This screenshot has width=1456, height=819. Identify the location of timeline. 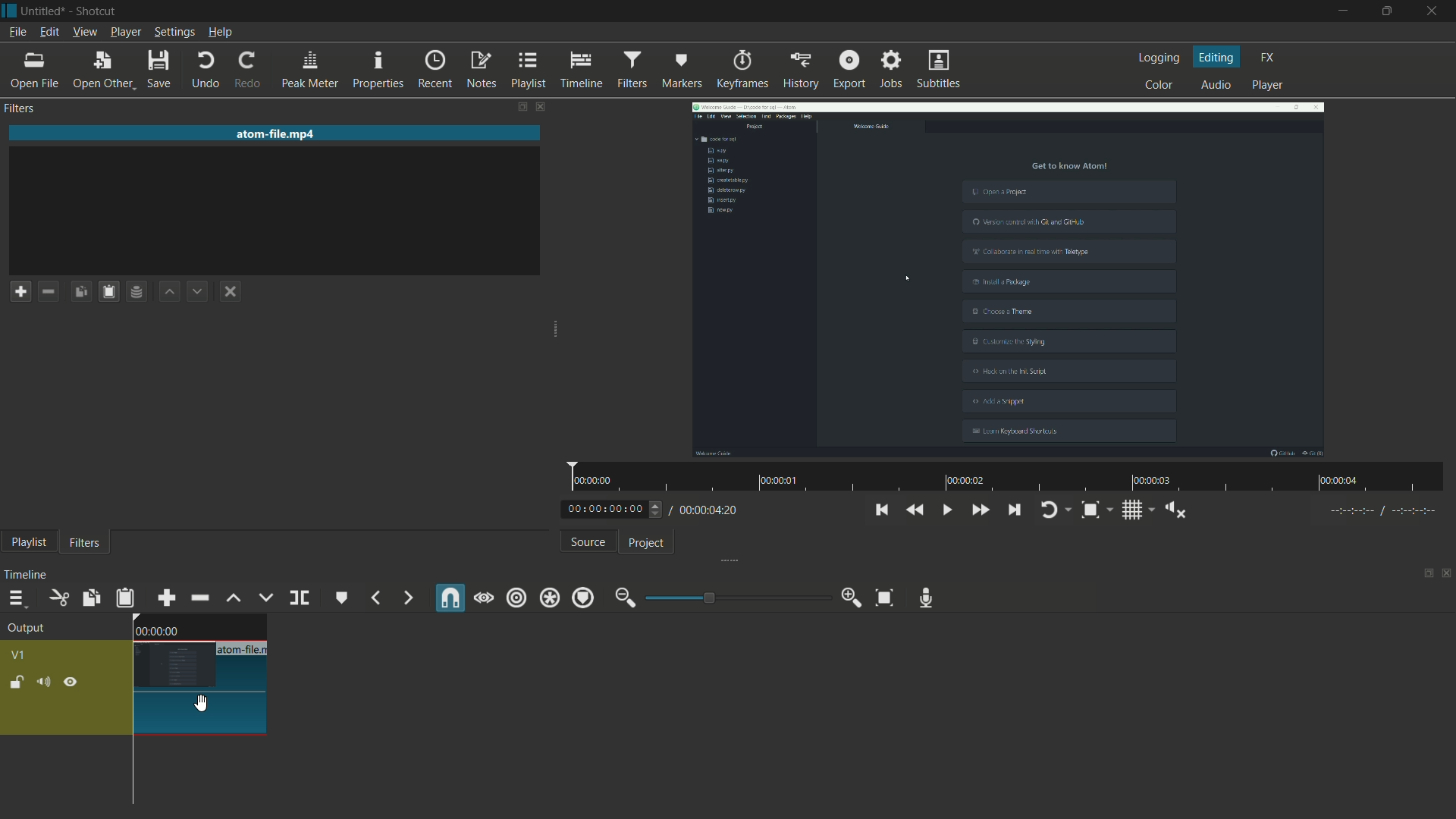
(581, 68).